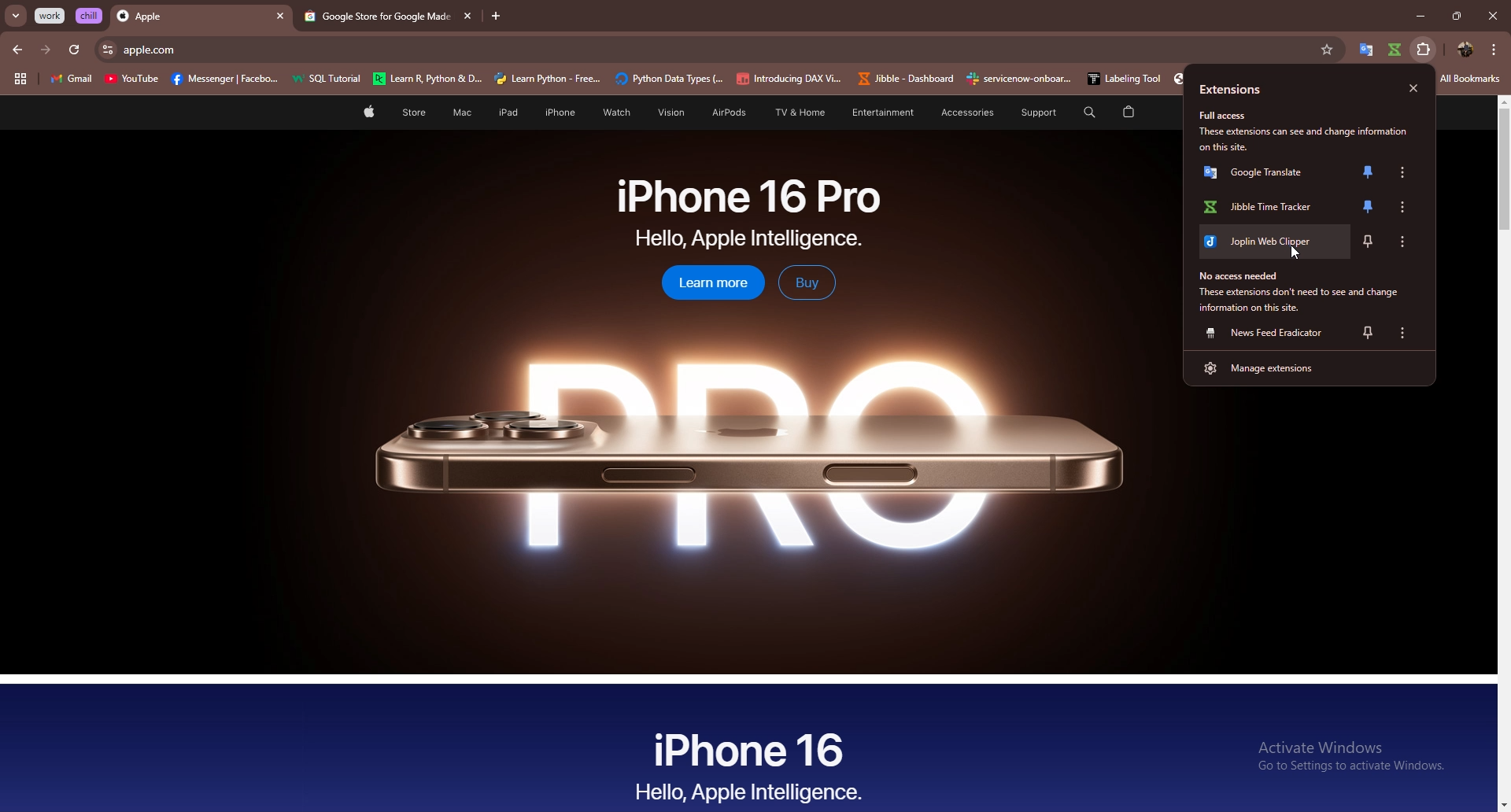  What do you see at coordinates (750, 764) in the screenshot?
I see `iPhone 16
Hello, Apple Intelligence.` at bounding box center [750, 764].